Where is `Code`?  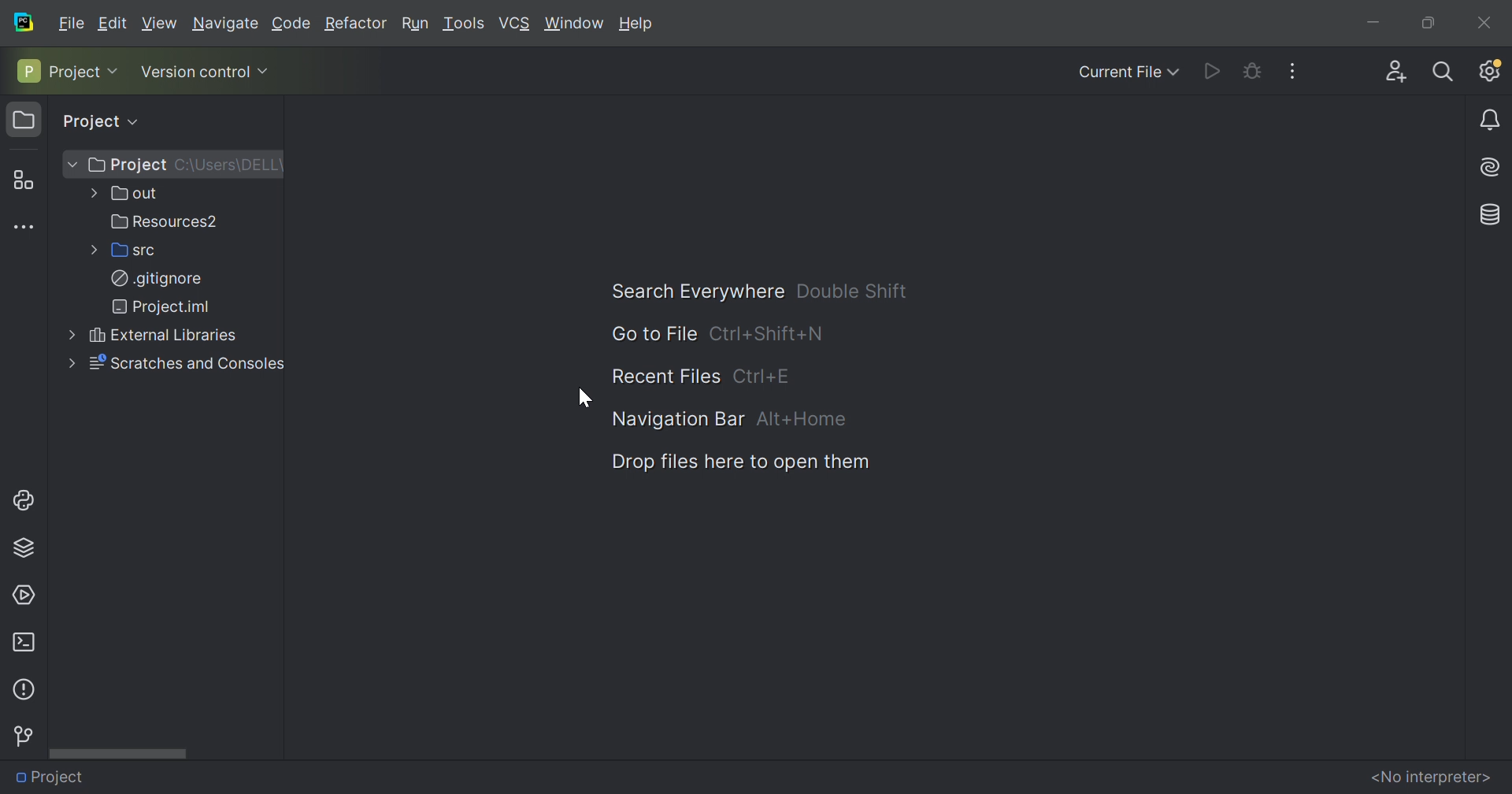 Code is located at coordinates (289, 23).